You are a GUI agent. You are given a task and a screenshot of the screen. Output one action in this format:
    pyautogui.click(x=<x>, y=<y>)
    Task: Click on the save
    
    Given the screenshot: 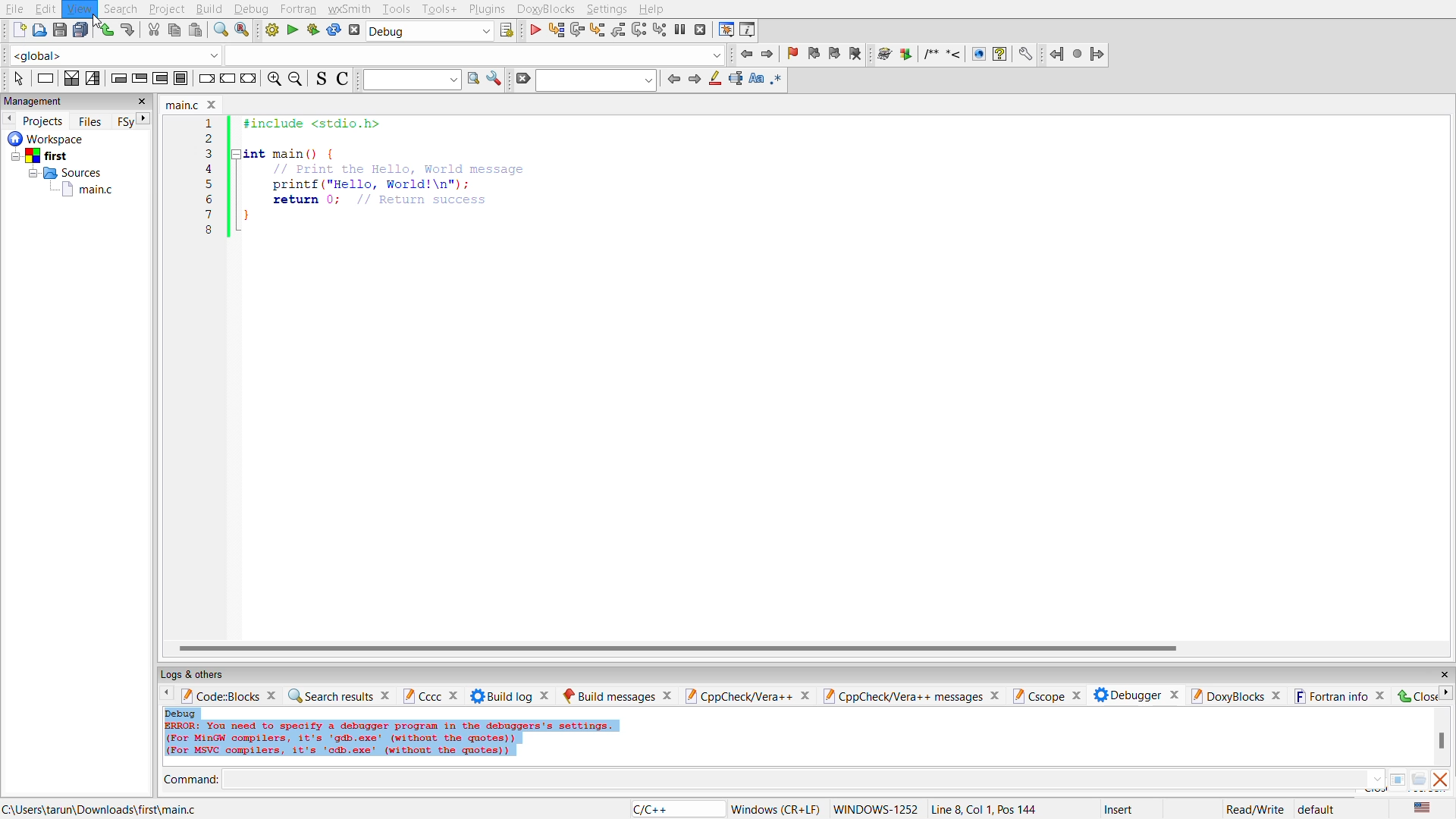 What is the action you would take?
    pyautogui.click(x=57, y=32)
    